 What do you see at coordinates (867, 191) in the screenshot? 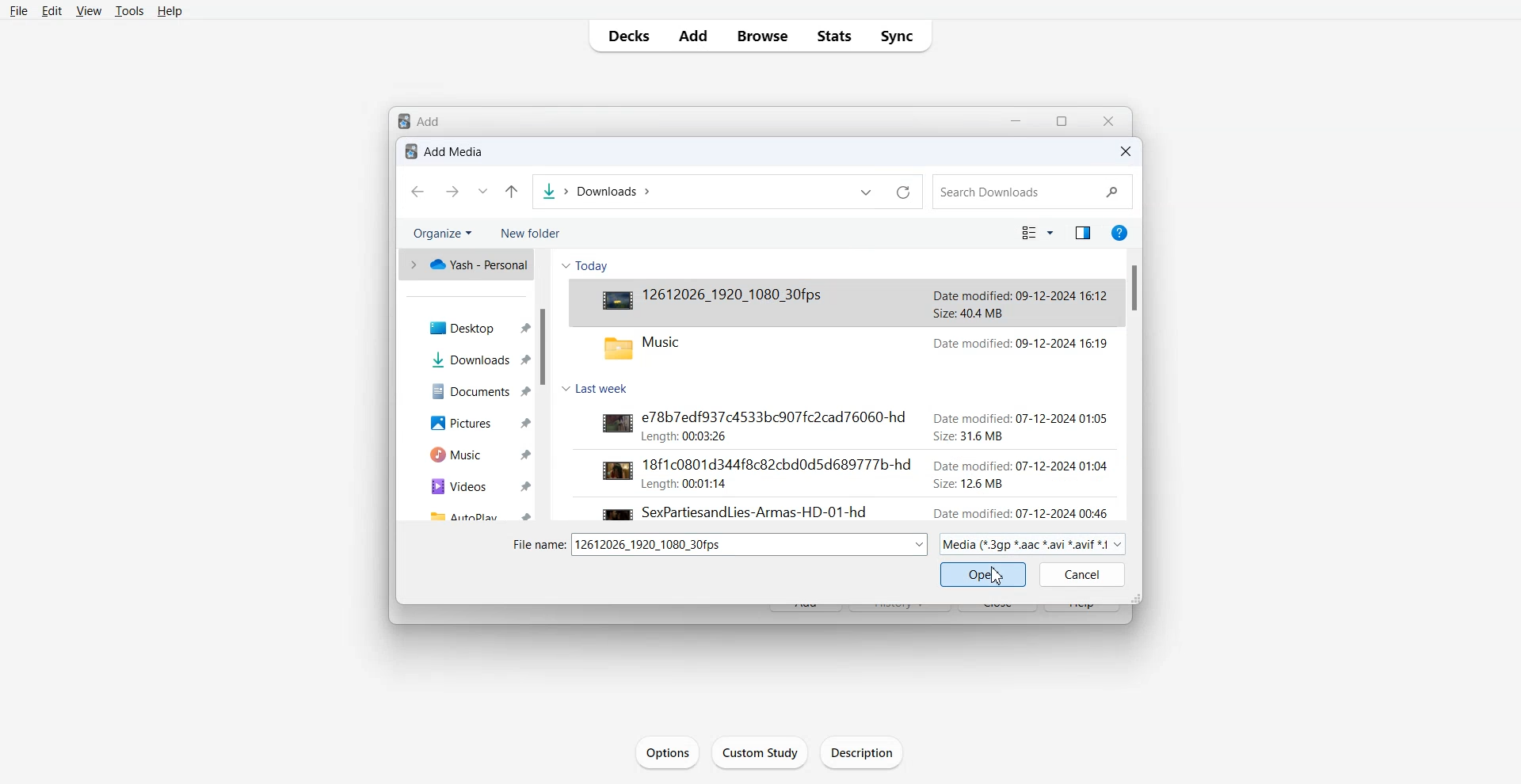
I see `Previous file` at bounding box center [867, 191].